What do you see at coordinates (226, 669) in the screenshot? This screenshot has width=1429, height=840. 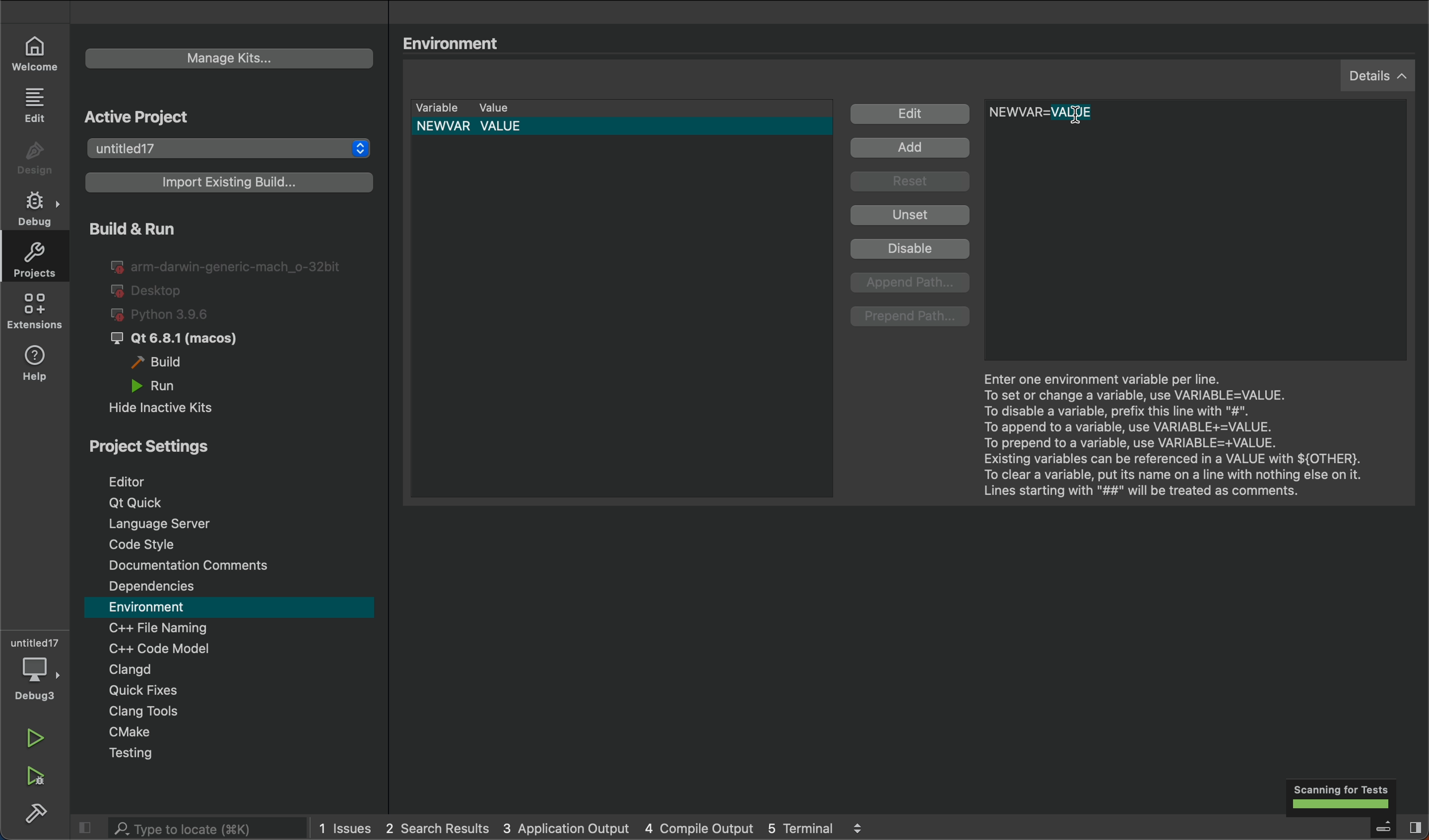 I see `Clangd` at bounding box center [226, 669].